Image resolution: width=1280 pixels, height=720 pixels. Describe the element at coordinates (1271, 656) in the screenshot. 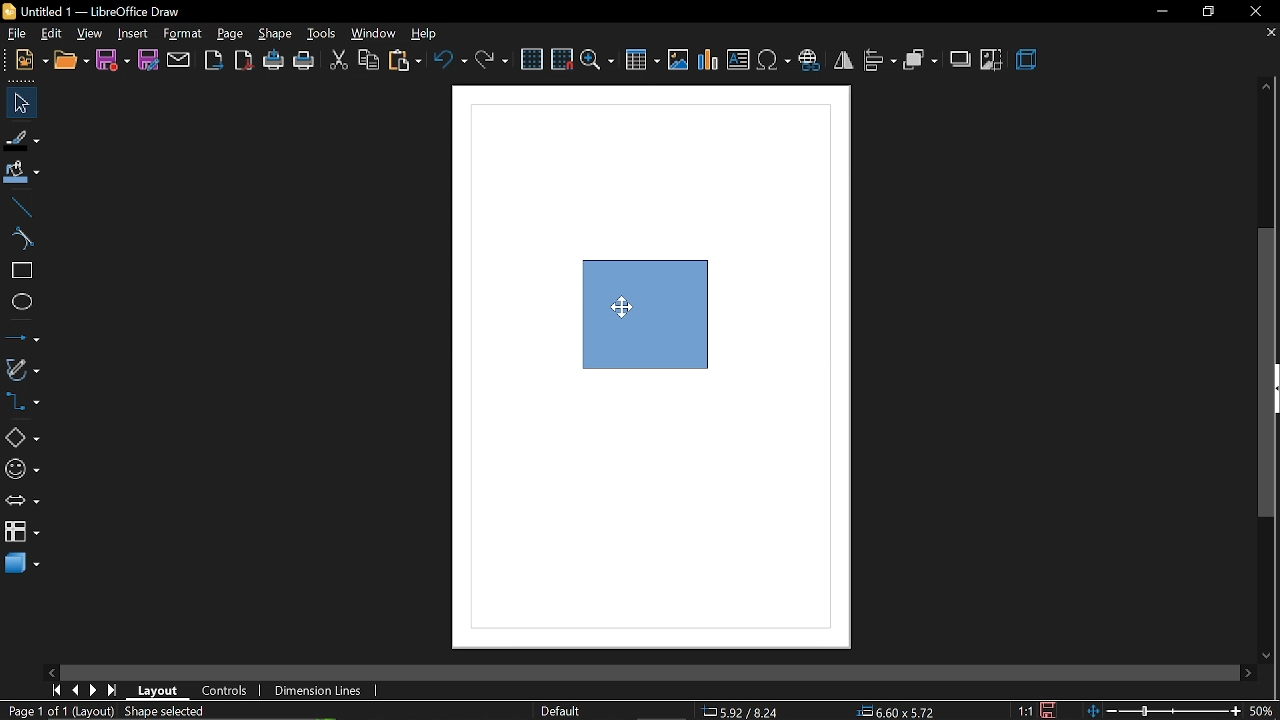

I see `Move down` at that location.